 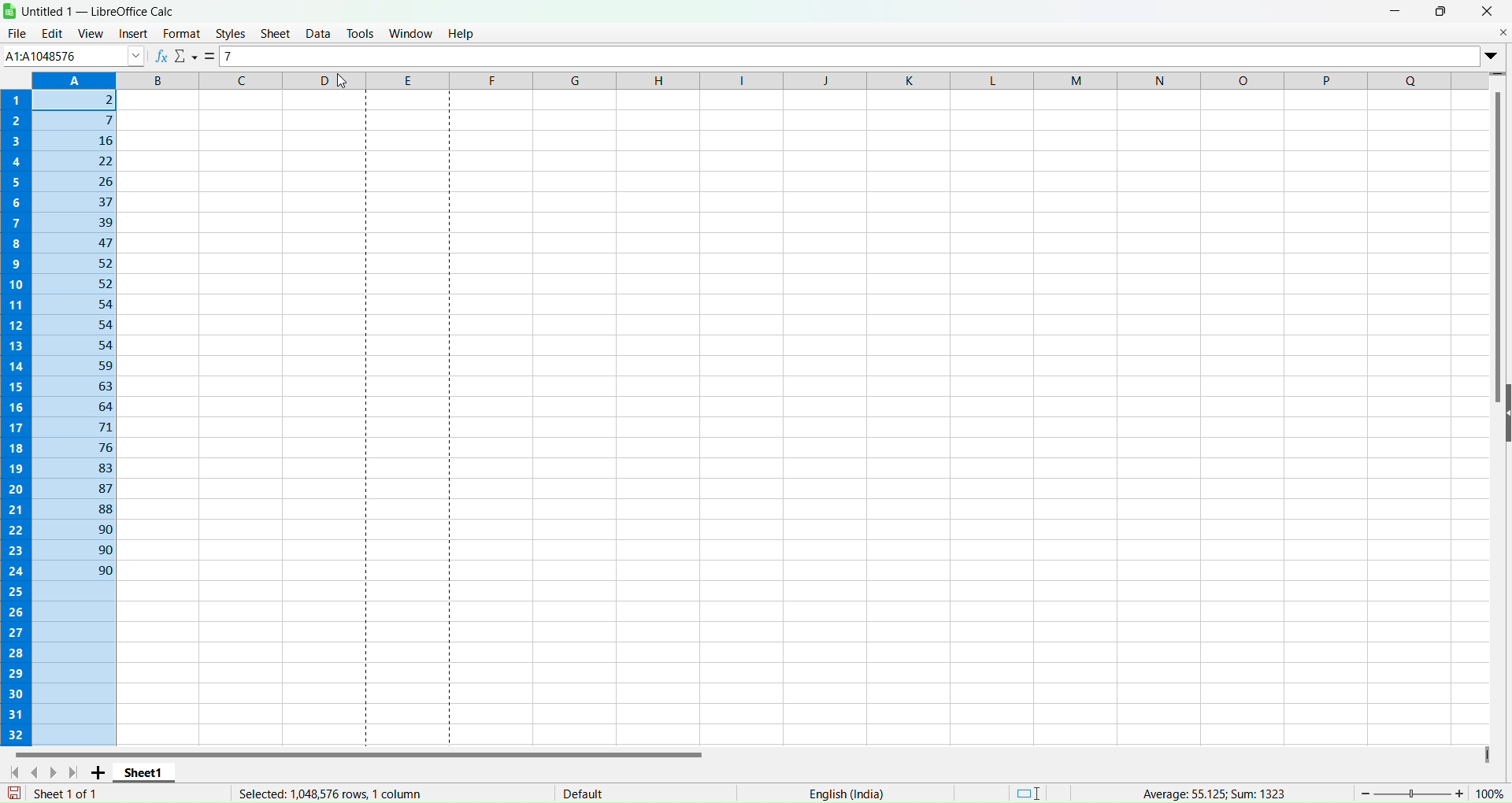 What do you see at coordinates (1502, 31) in the screenshot?
I see `Close Document` at bounding box center [1502, 31].